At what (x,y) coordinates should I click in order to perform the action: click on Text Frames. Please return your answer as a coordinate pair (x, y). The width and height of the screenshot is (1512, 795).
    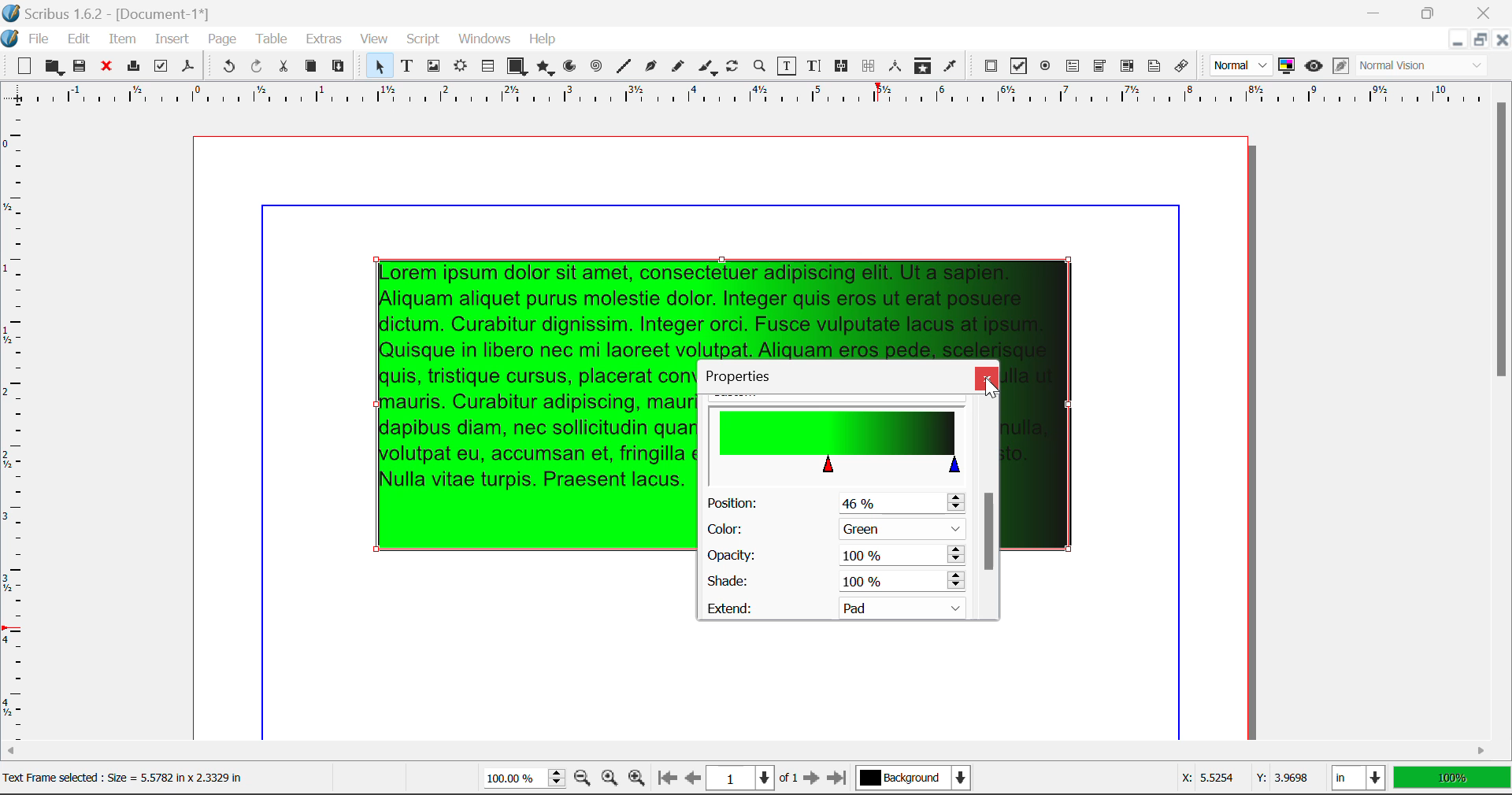
    Looking at the image, I should click on (407, 68).